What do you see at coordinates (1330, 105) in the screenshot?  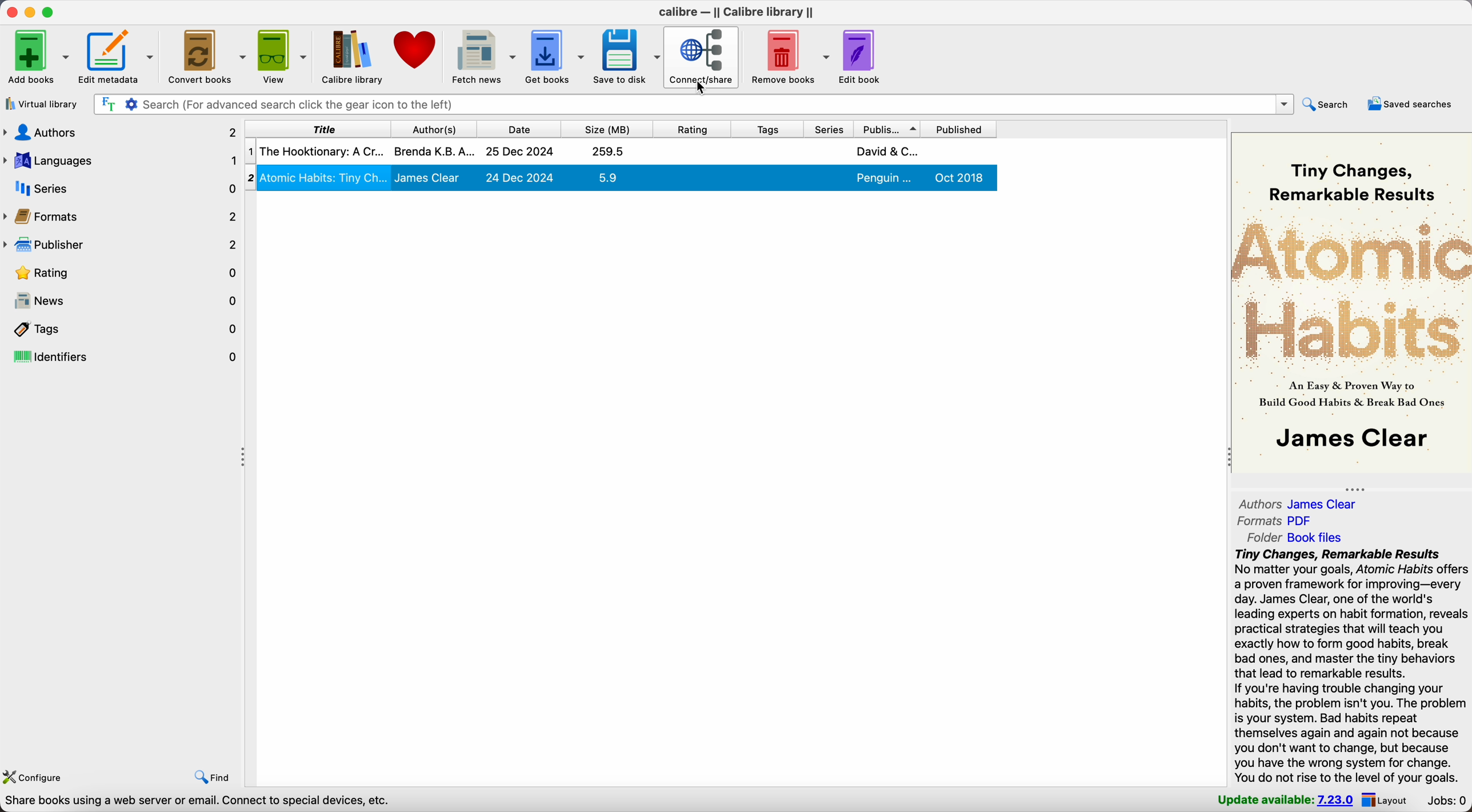 I see `search` at bounding box center [1330, 105].